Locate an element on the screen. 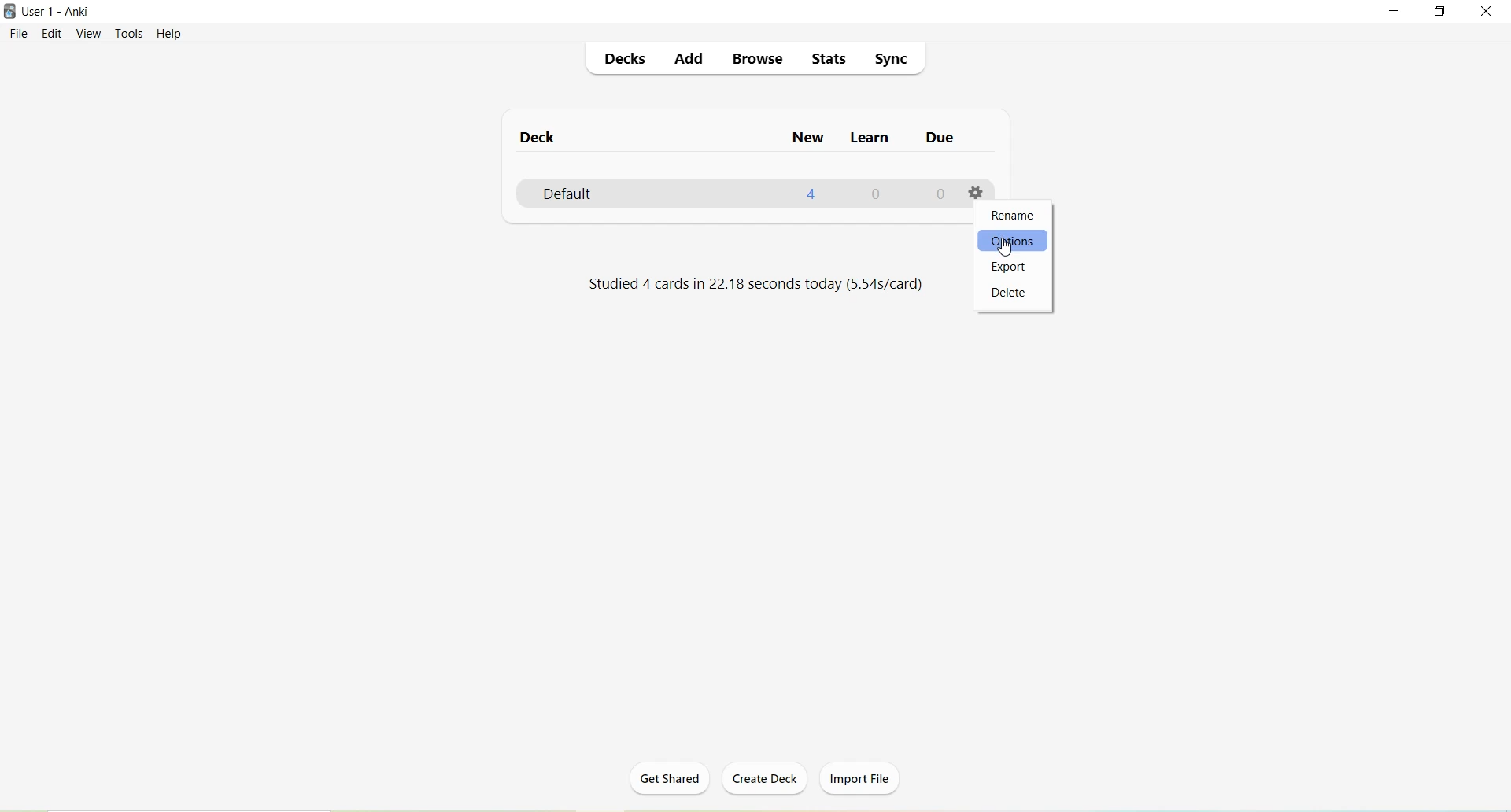 This screenshot has width=1511, height=812. Studied 4 cards in 22.18 seconds today (5.54s/card) is located at coordinates (760, 284).